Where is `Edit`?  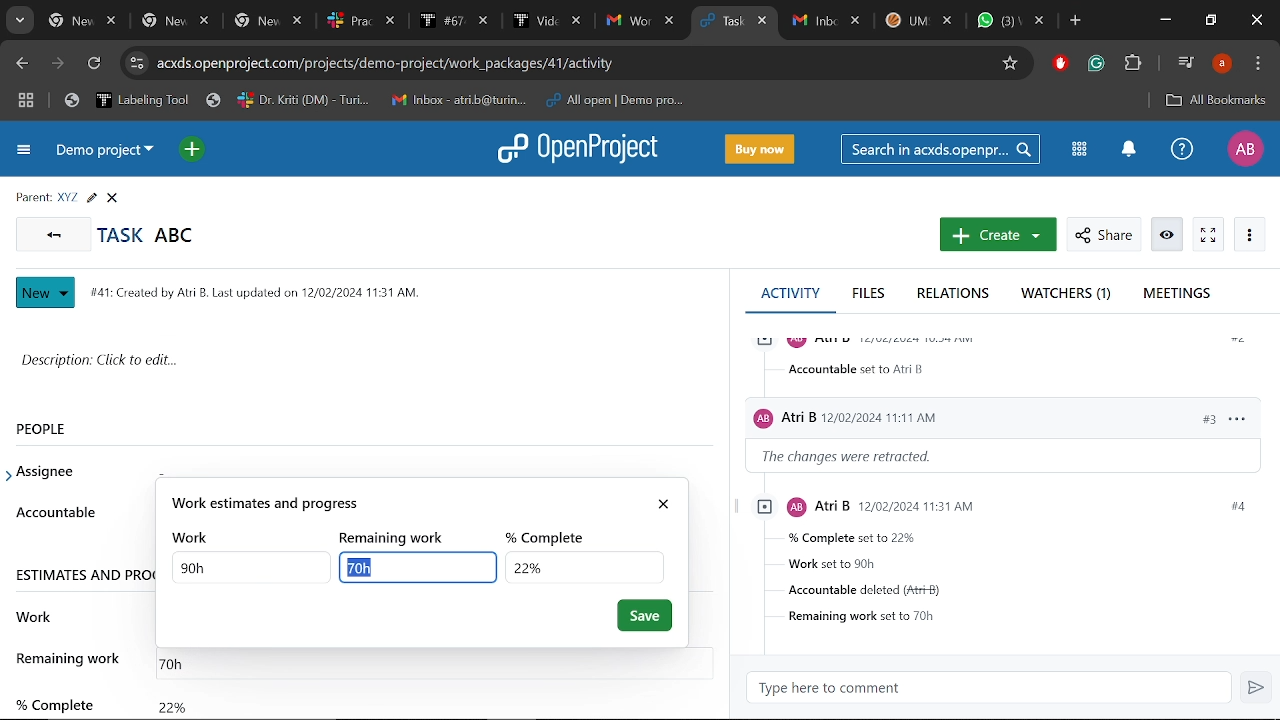
Edit is located at coordinates (91, 198).